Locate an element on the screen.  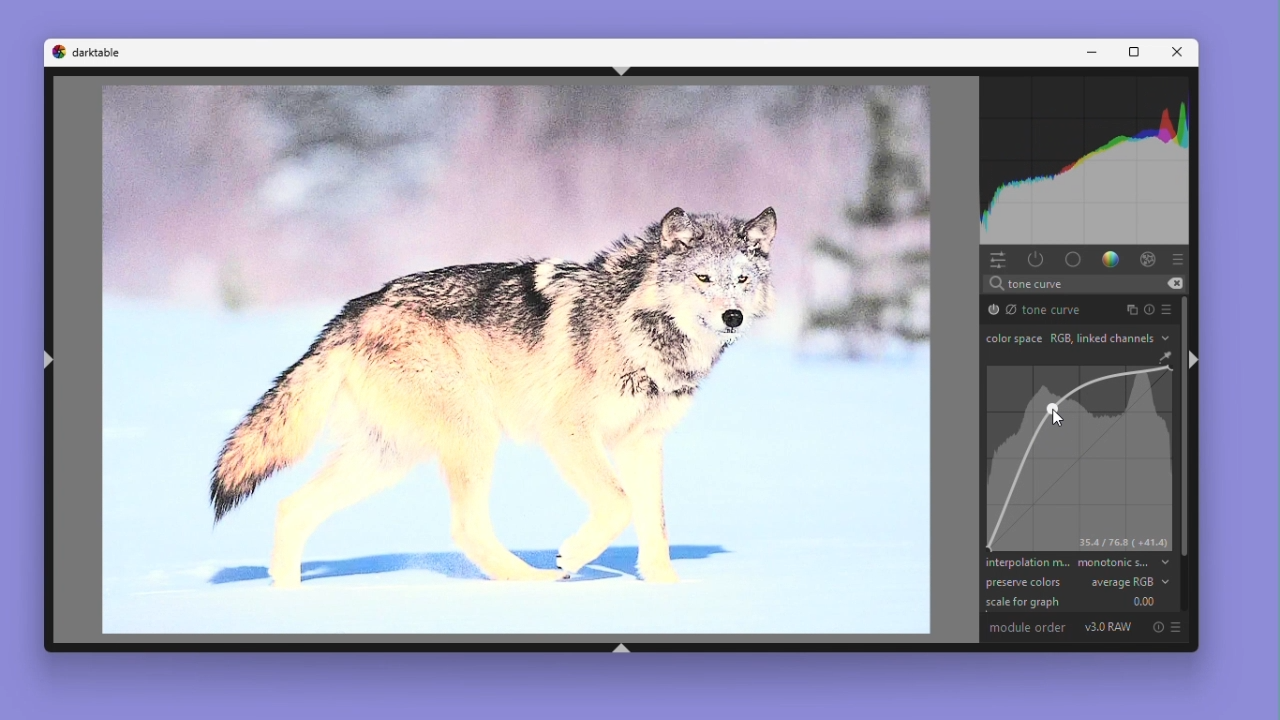
V3.0 RAW is located at coordinates (1108, 628).